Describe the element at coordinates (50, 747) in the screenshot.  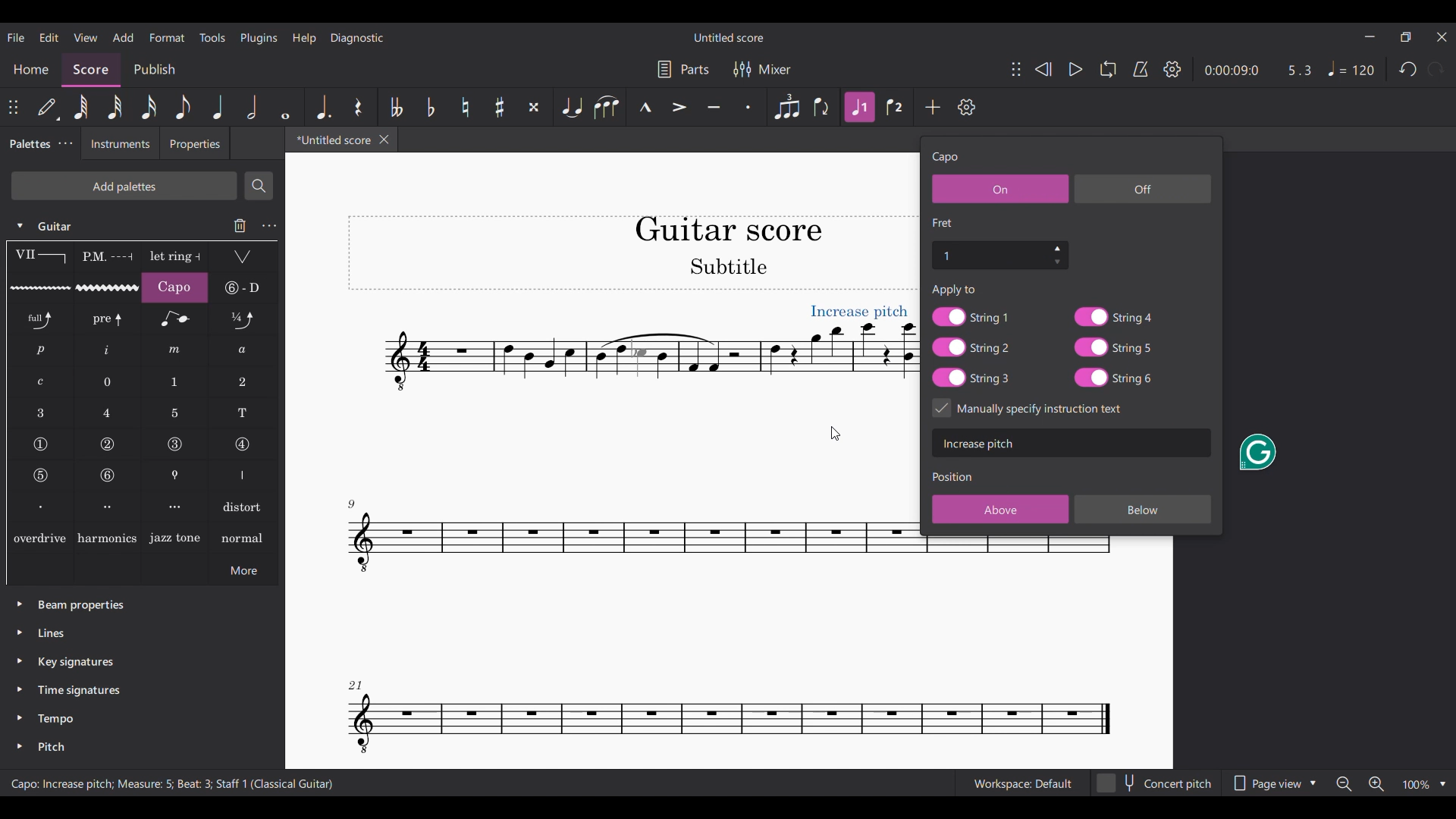
I see `Pitch` at that location.